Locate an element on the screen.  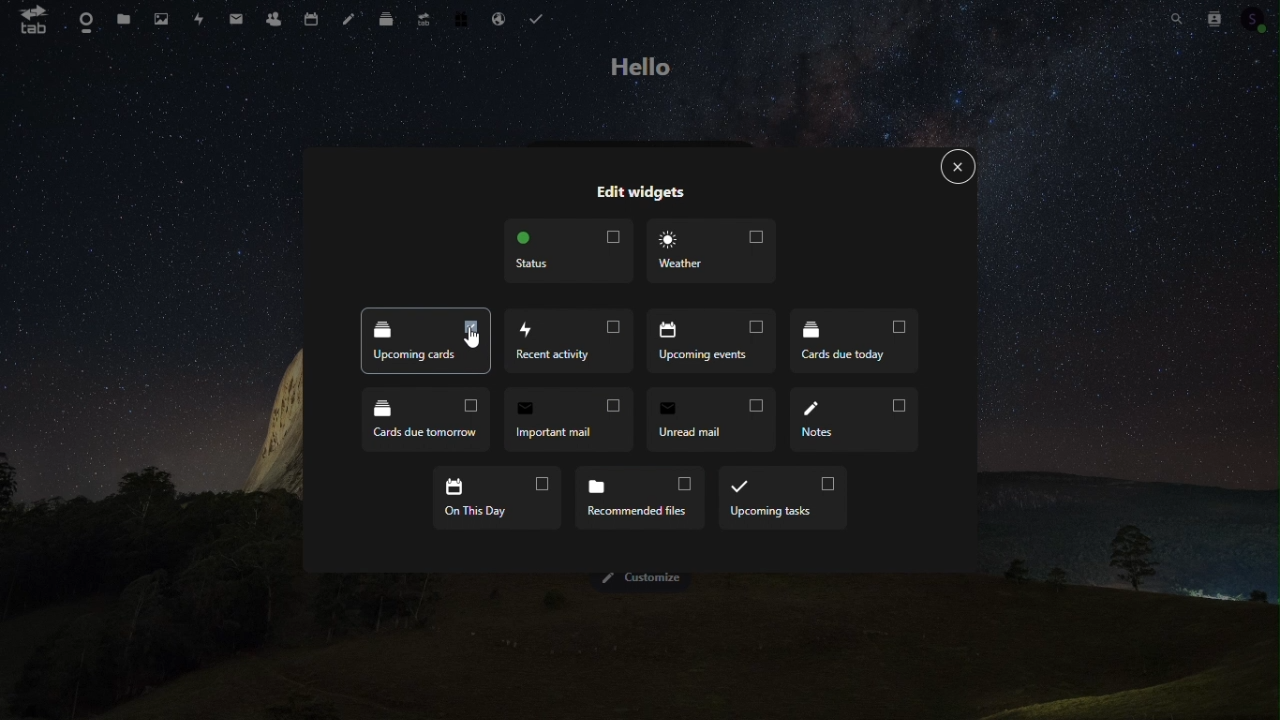
Important mail is located at coordinates (234, 19).